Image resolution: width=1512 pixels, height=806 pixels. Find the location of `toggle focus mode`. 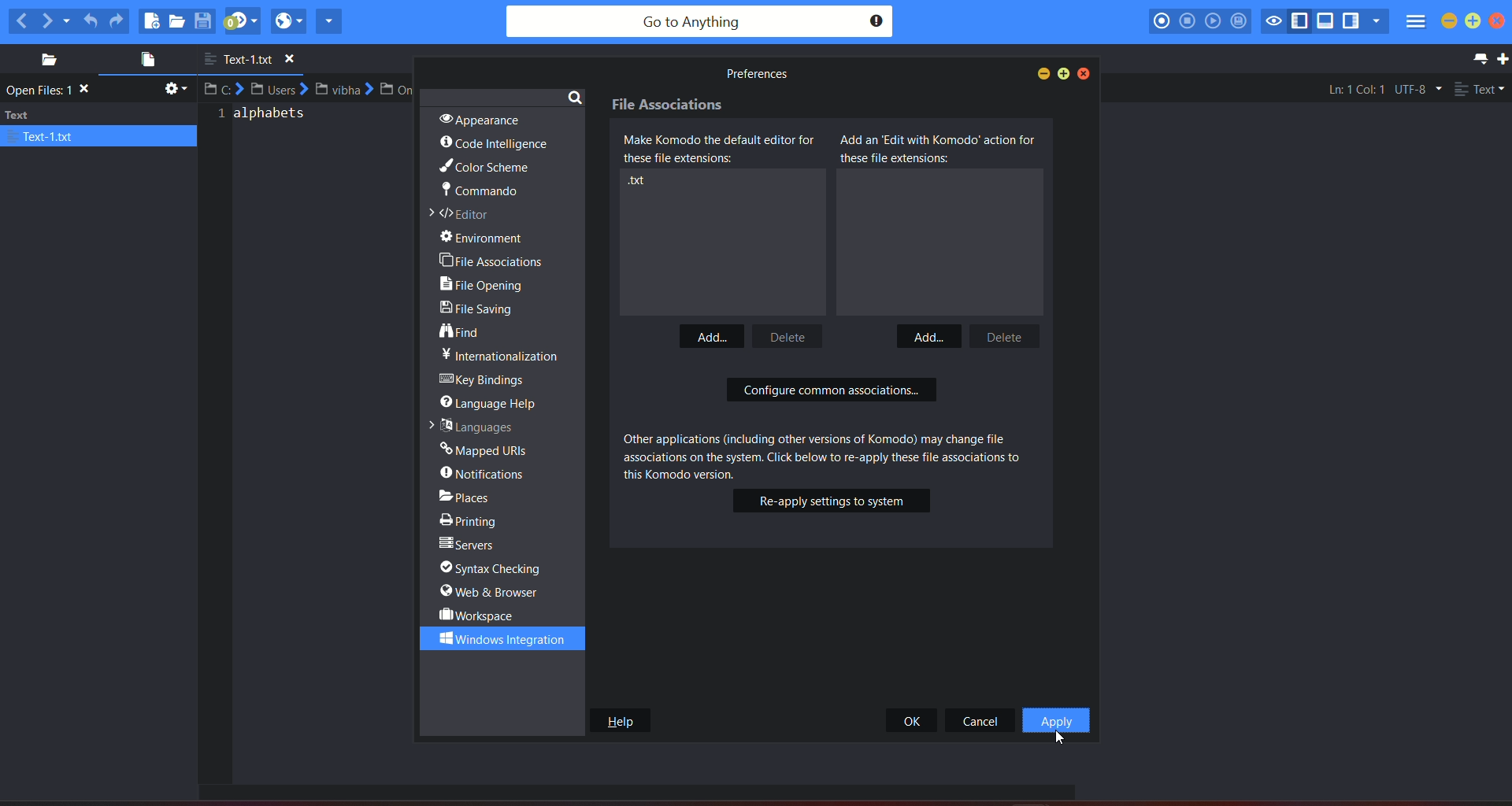

toggle focus mode is located at coordinates (1274, 20).